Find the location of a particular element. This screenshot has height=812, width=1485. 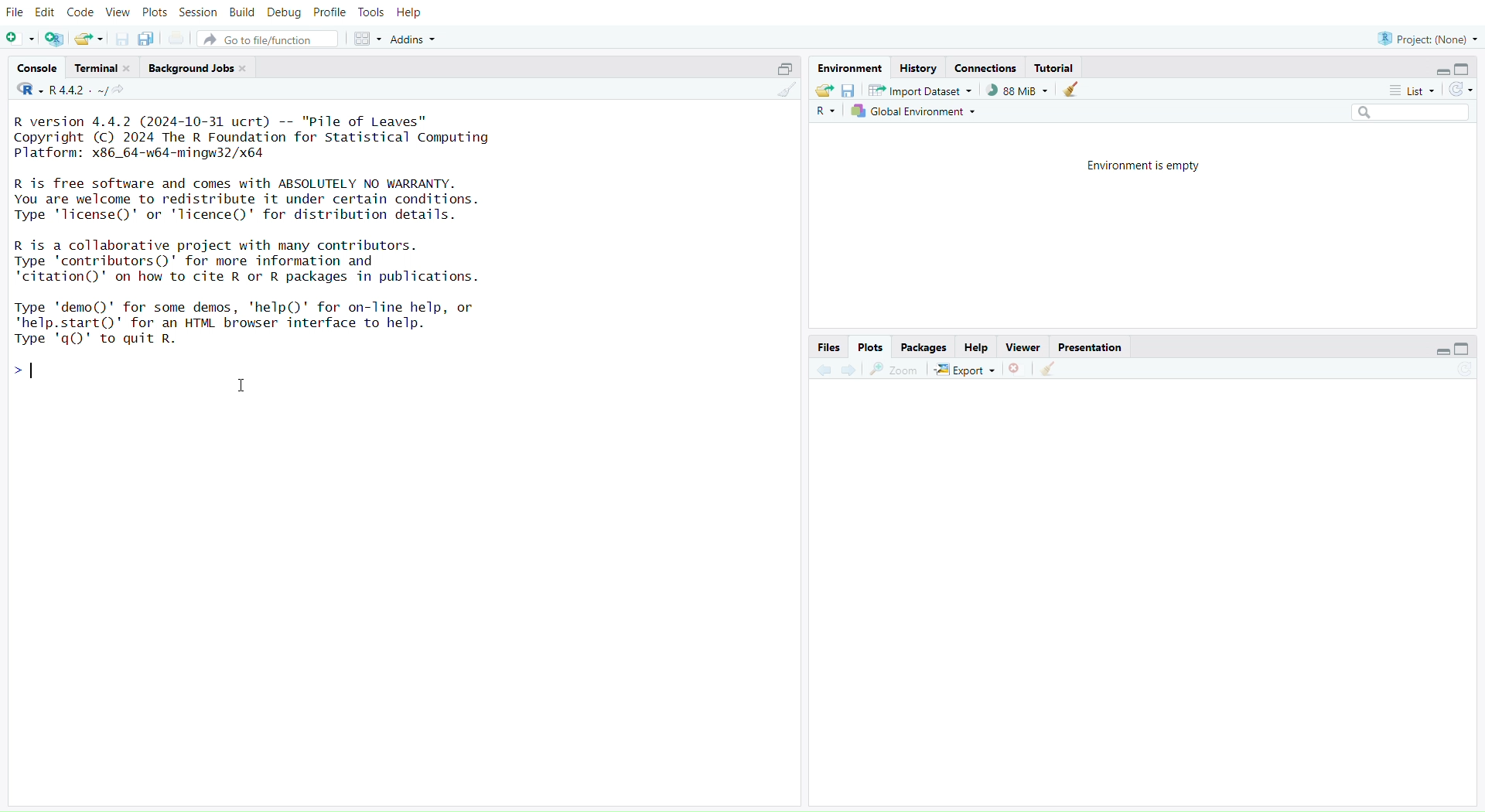

print current file is located at coordinates (177, 37).